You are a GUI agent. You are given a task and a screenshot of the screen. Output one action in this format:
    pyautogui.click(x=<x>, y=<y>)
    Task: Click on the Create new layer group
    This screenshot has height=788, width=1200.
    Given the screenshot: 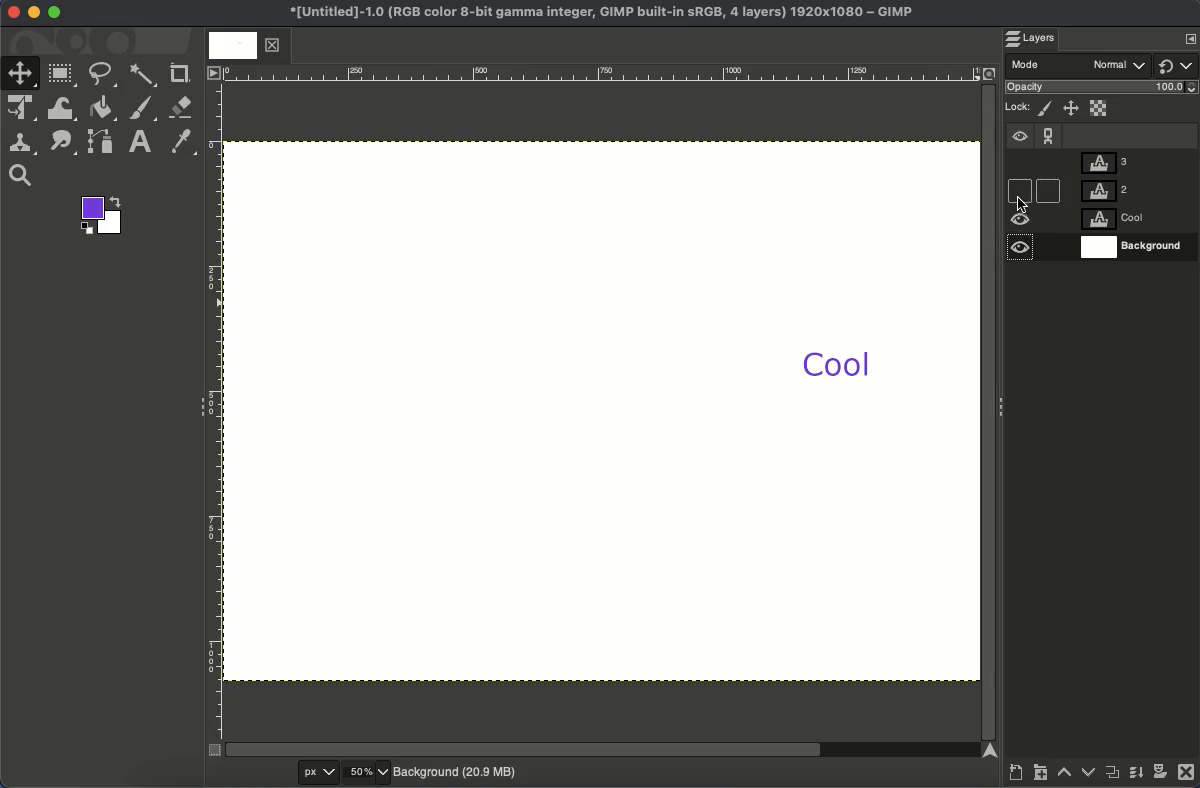 What is the action you would take?
    pyautogui.click(x=1041, y=776)
    